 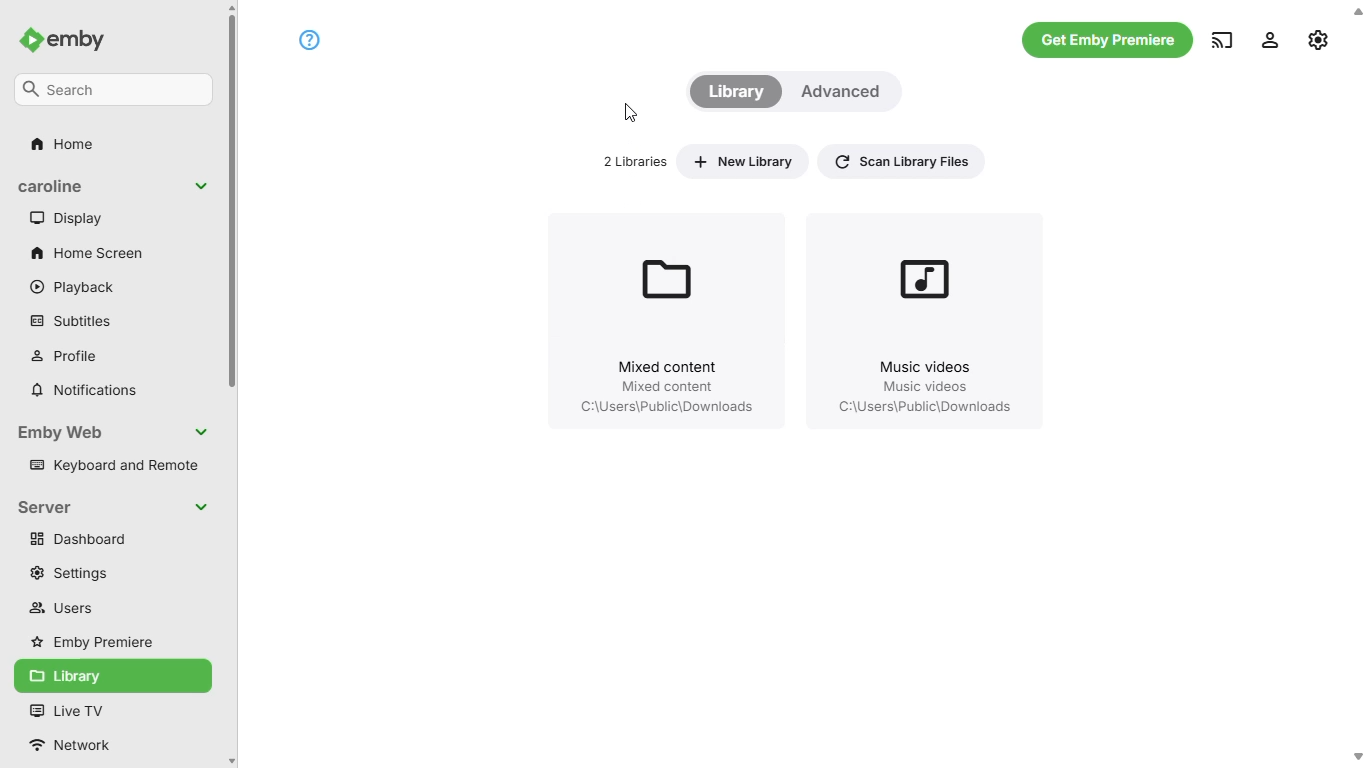 What do you see at coordinates (84, 391) in the screenshot?
I see `notifications` at bounding box center [84, 391].